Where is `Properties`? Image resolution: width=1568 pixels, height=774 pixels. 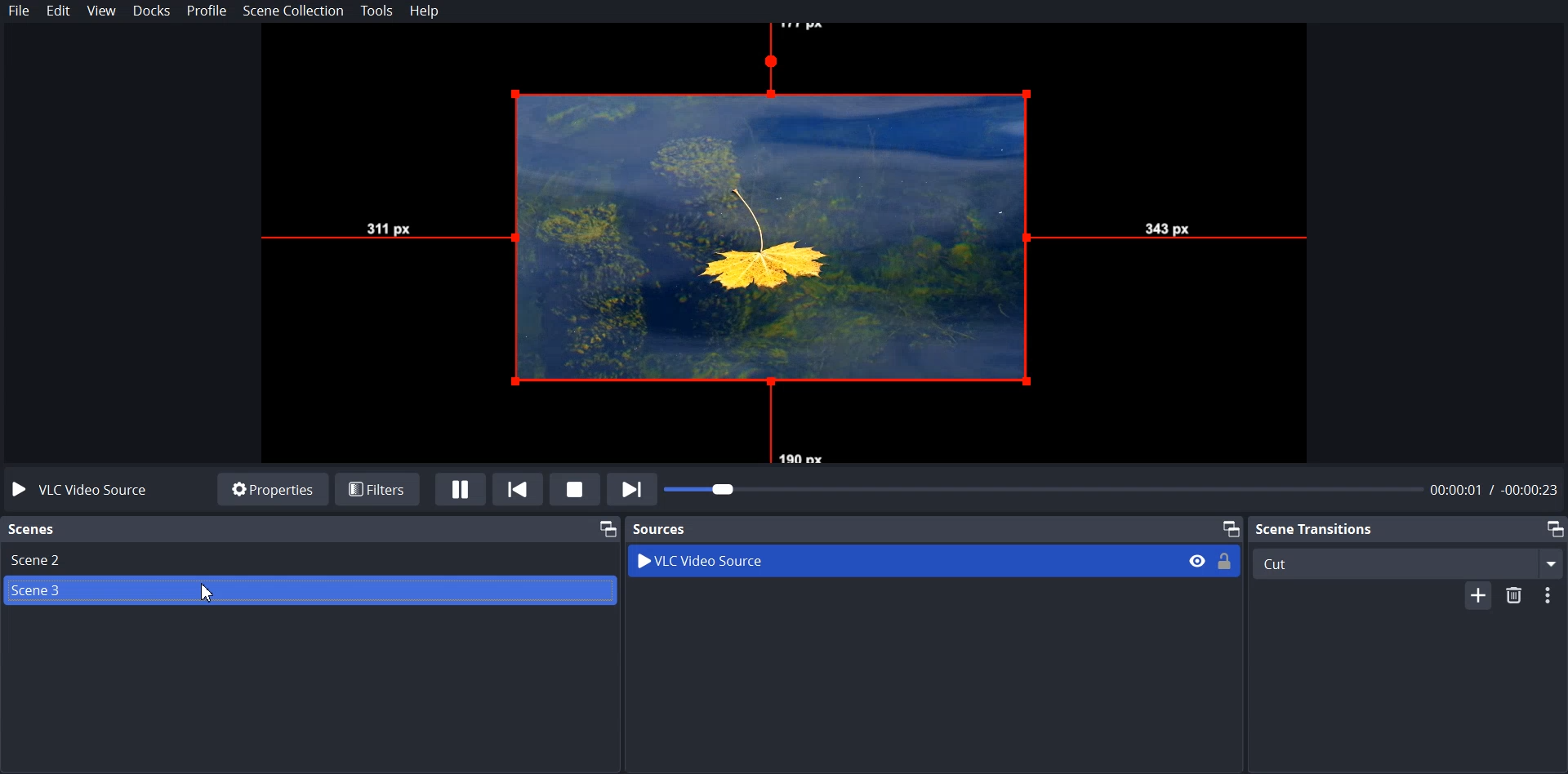 Properties is located at coordinates (272, 488).